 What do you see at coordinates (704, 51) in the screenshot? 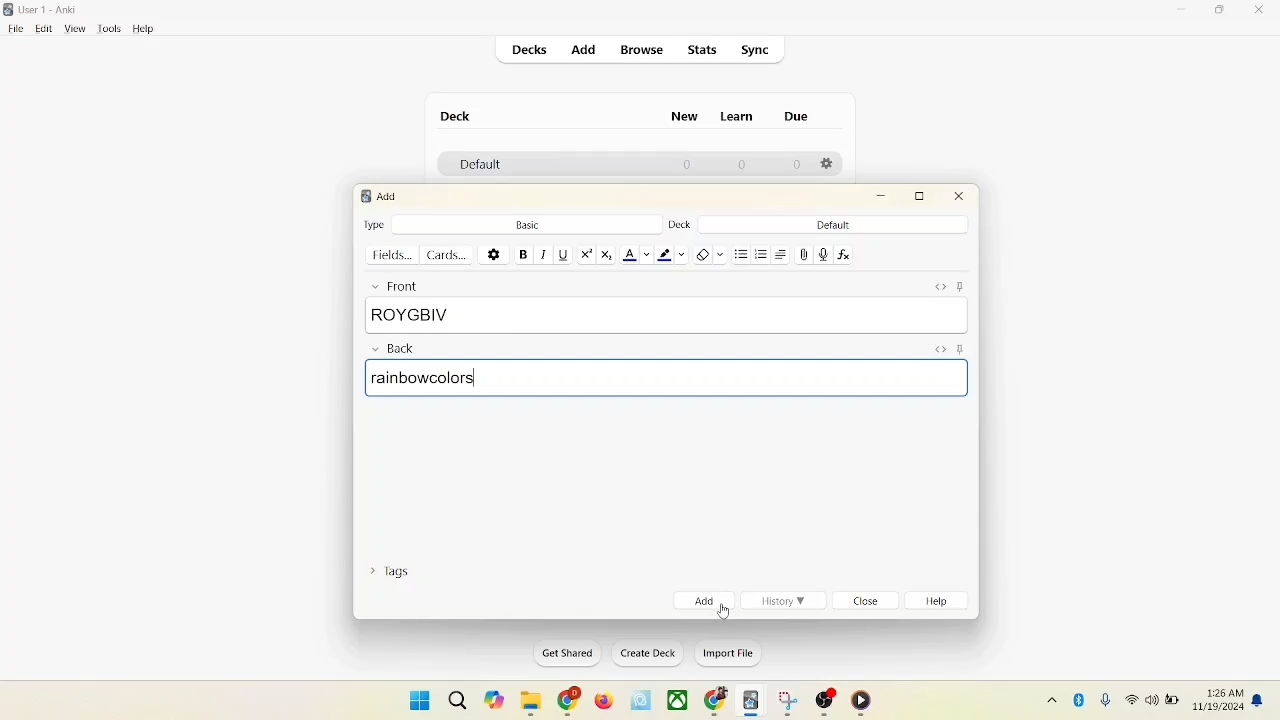
I see `stats` at bounding box center [704, 51].